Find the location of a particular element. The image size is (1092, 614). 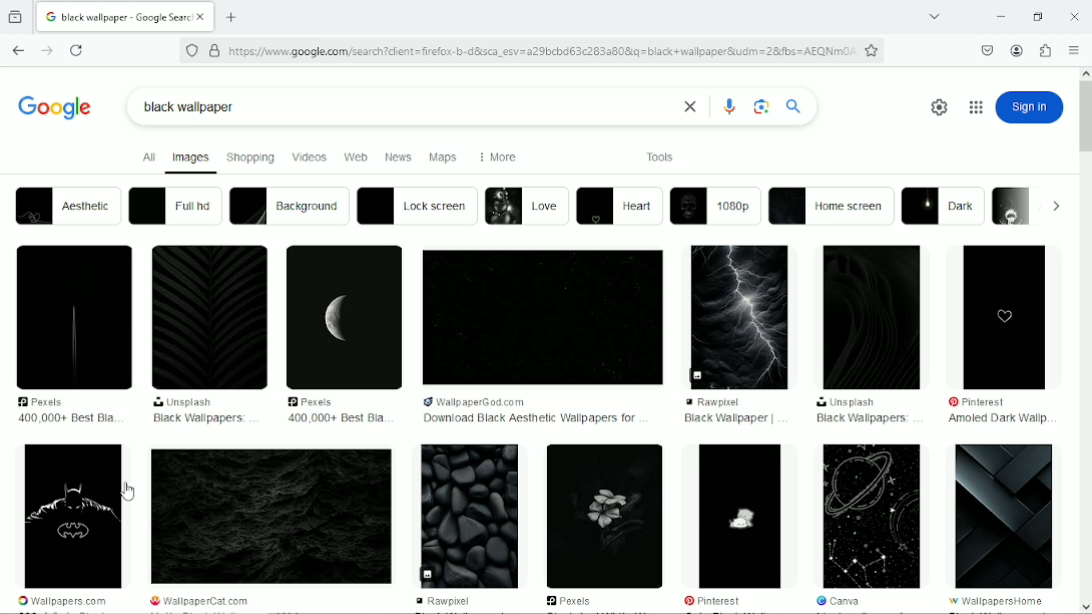

background is located at coordinates (288, 206).